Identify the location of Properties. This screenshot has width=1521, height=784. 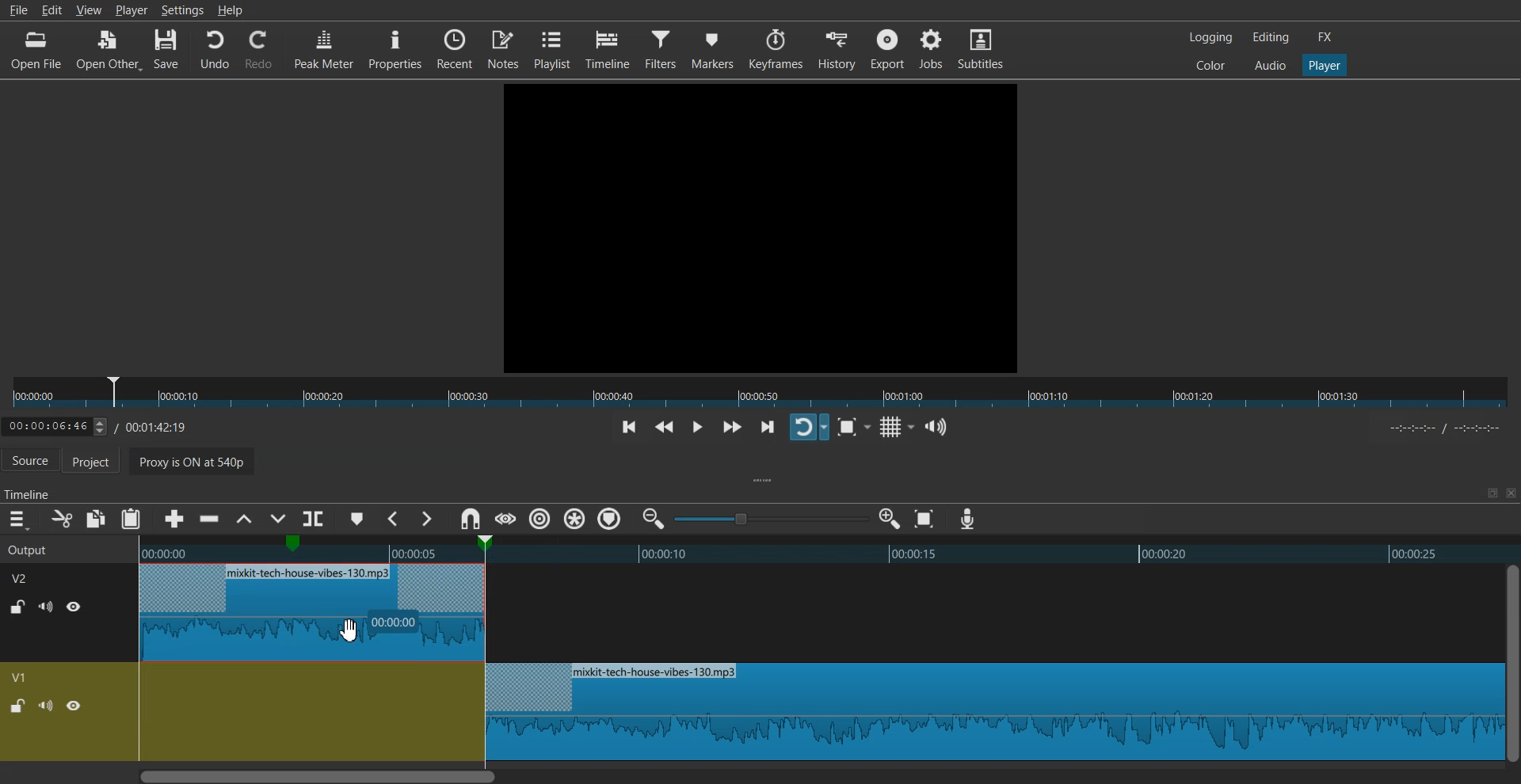
(395, 48).